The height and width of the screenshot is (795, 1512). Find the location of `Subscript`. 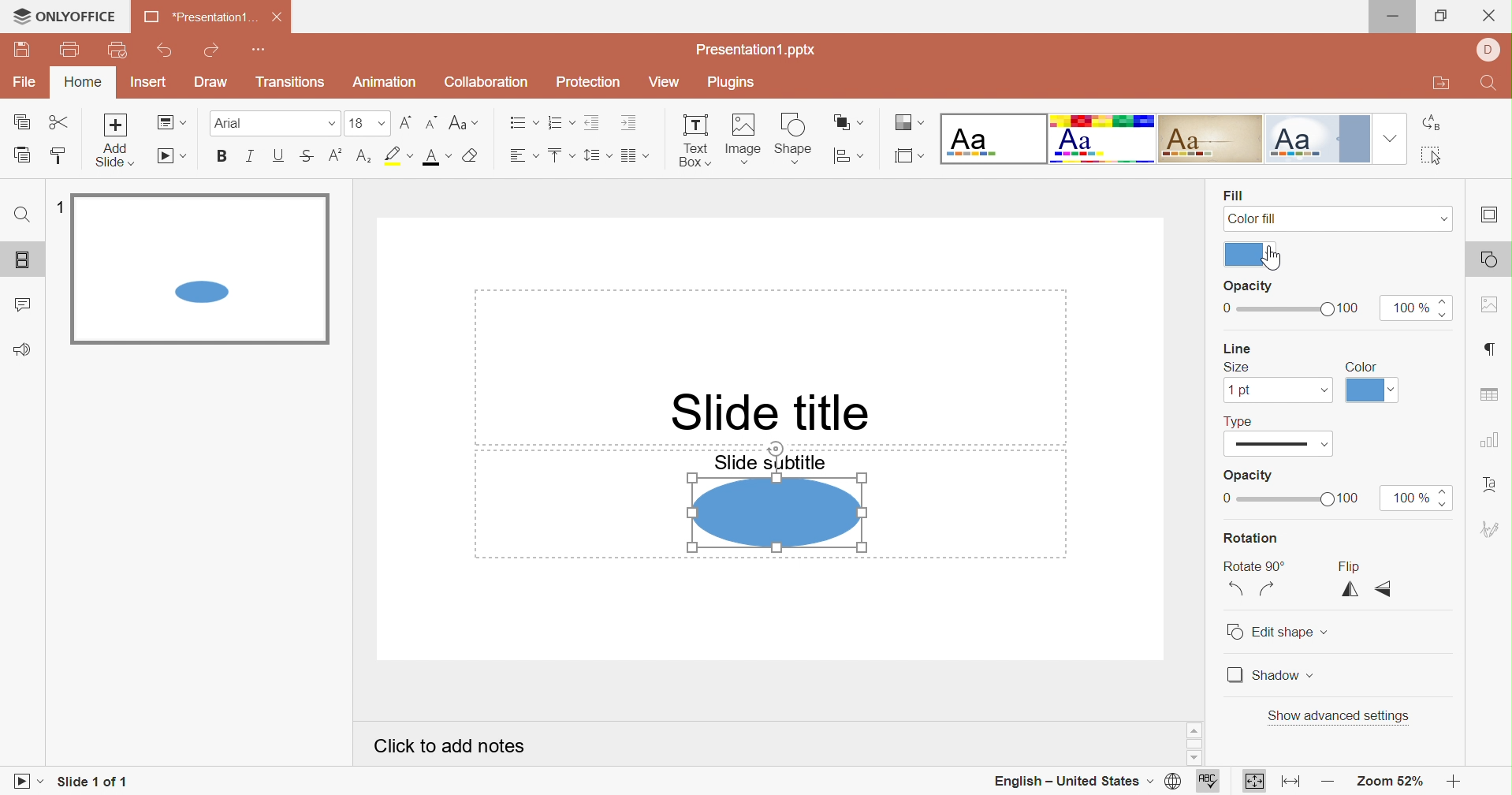

Subscript is located at coordinates (364, 156).